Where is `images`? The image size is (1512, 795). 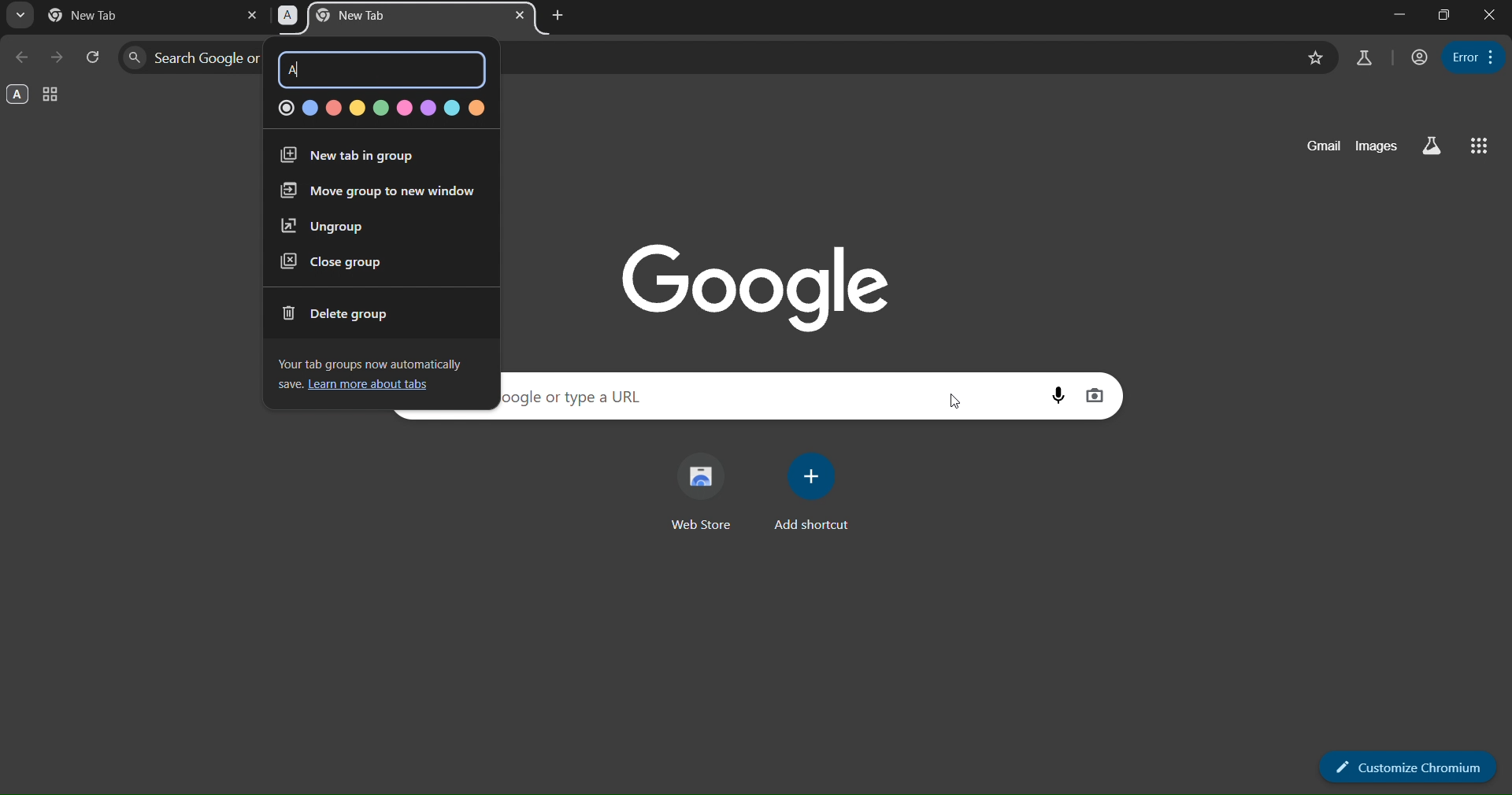 images is located at coordinates (1374, 146).